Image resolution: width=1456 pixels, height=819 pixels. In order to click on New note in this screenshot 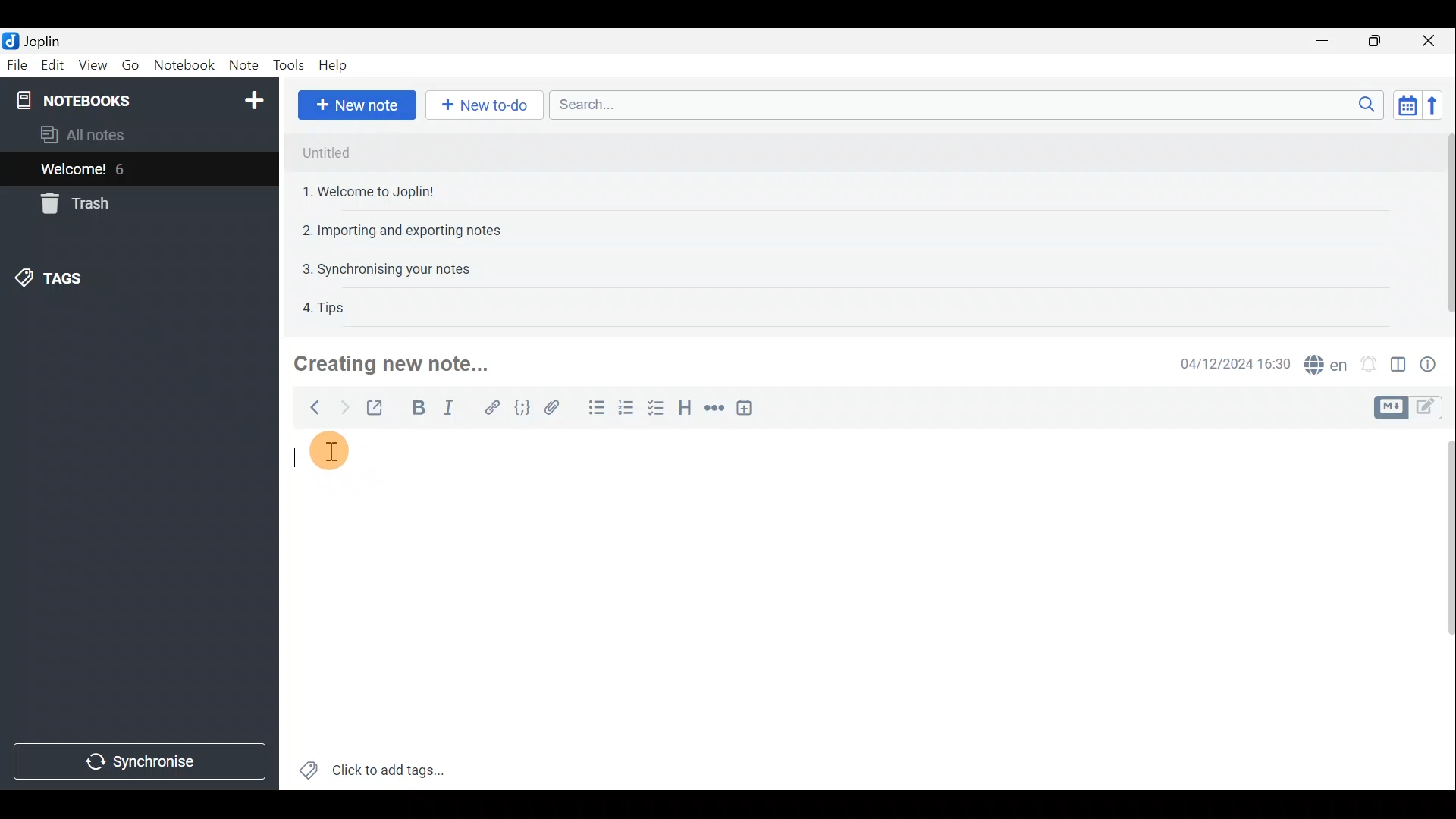, I will do `click(357, 105)`.